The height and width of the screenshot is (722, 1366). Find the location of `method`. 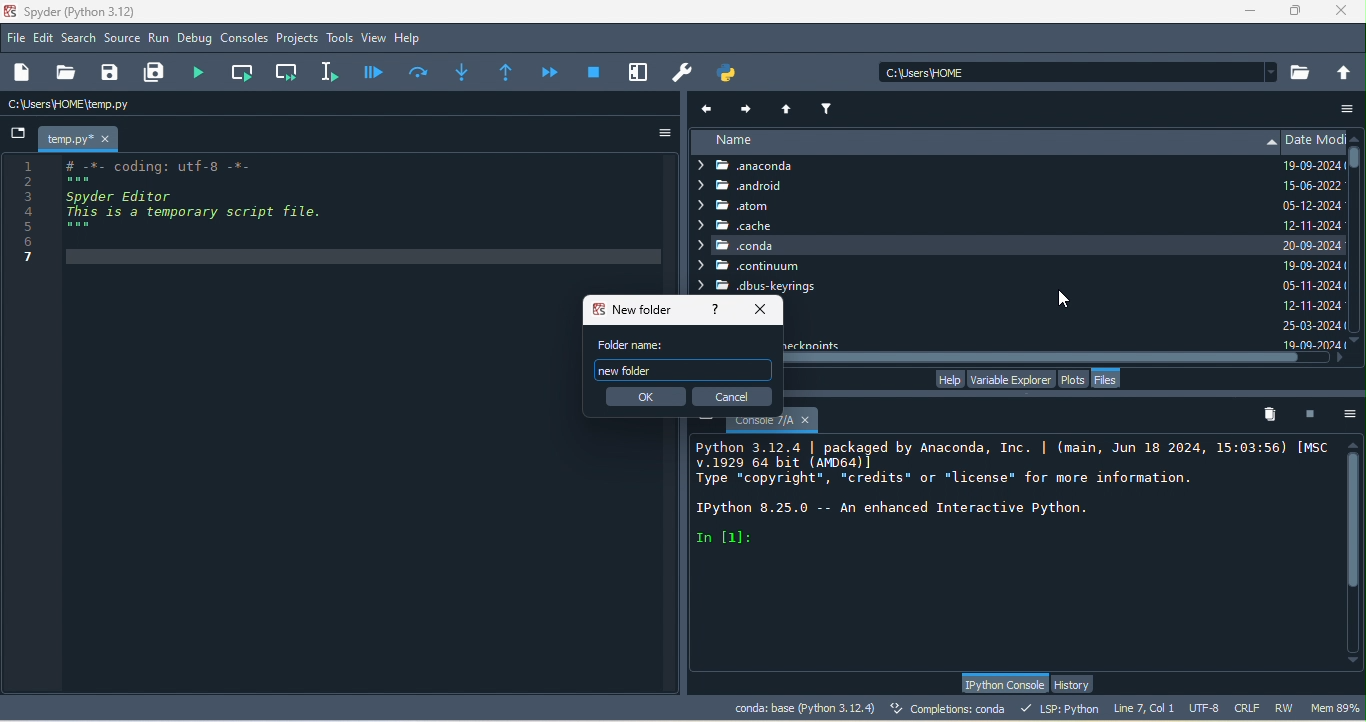

method is located at coordinates (462, 70).